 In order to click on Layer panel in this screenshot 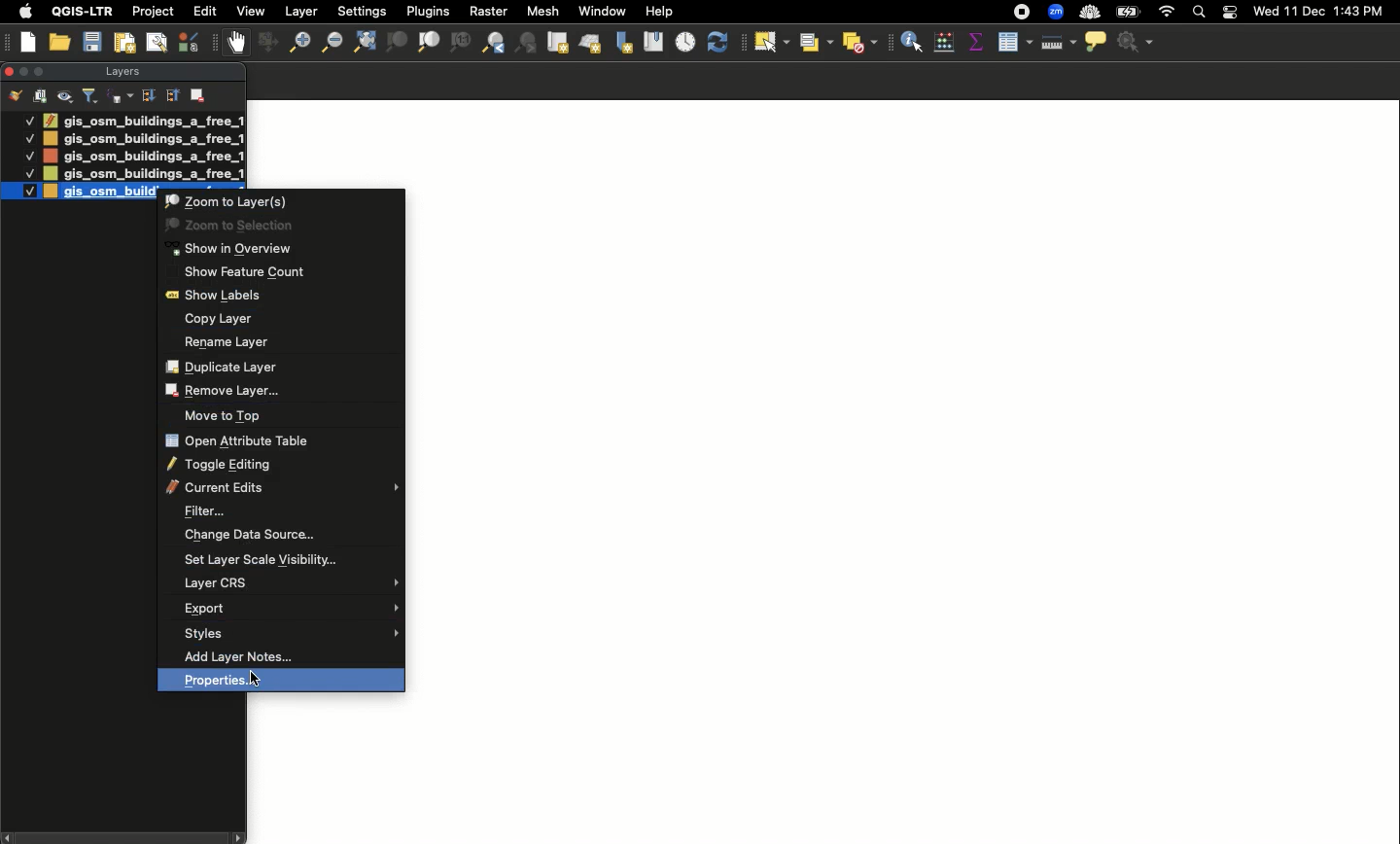, I will do `click(121, 73)`.